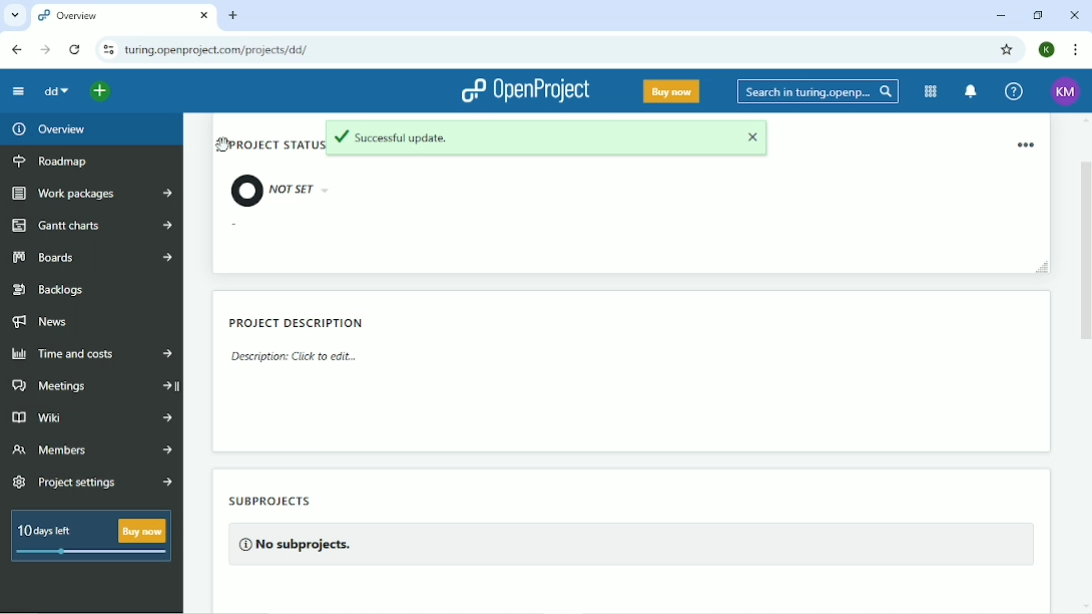 This screenshot has height=614, width=1092. What do you see at coordinates (300, 342) in the screenshot?
I see `Project description` at bounding box center [300, 342].